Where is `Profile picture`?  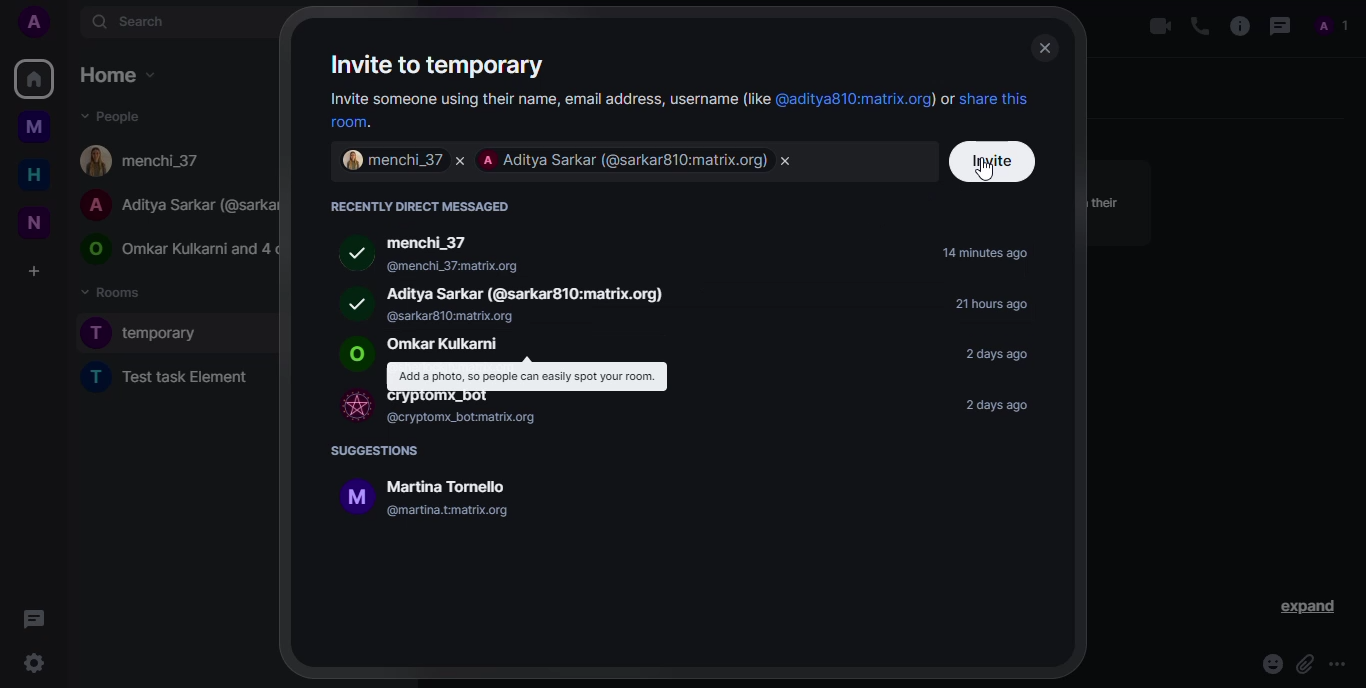
Profile picture is located at coordinates (354, 356).